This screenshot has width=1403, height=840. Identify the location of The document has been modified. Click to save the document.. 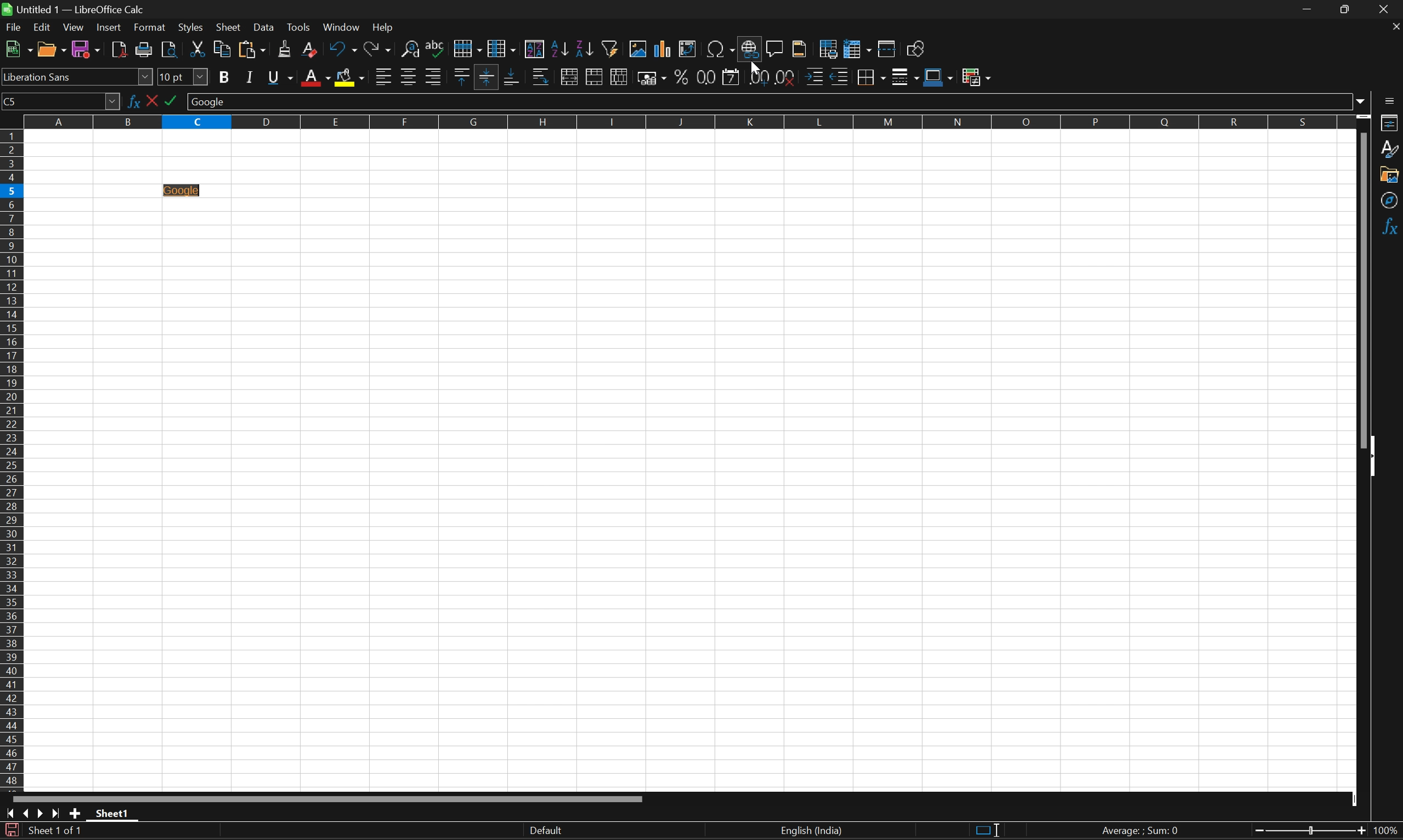
(11, 831).